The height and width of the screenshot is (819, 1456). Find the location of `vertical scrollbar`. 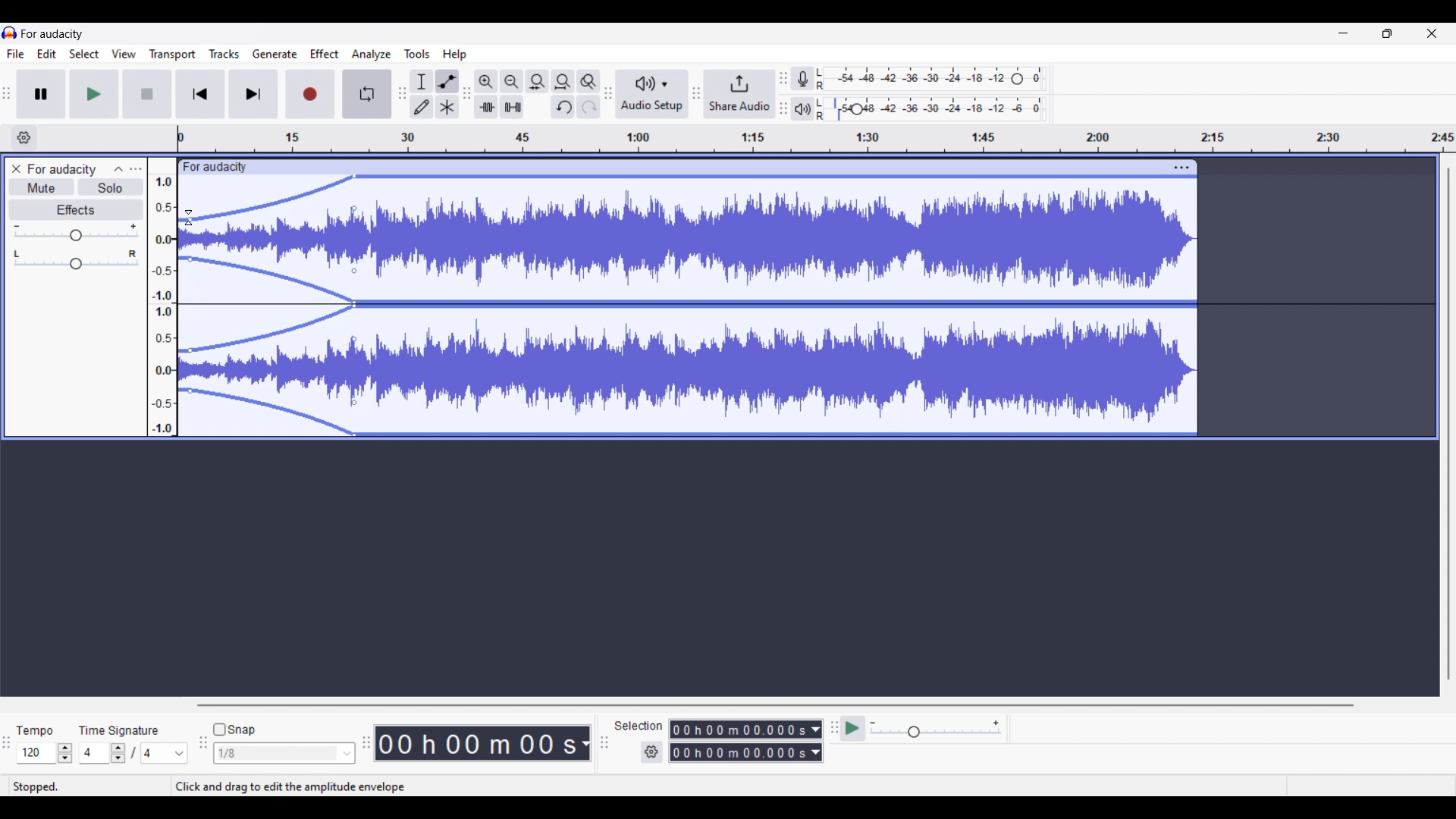

vertical scrollbar is located at coordinates (1448, 423).